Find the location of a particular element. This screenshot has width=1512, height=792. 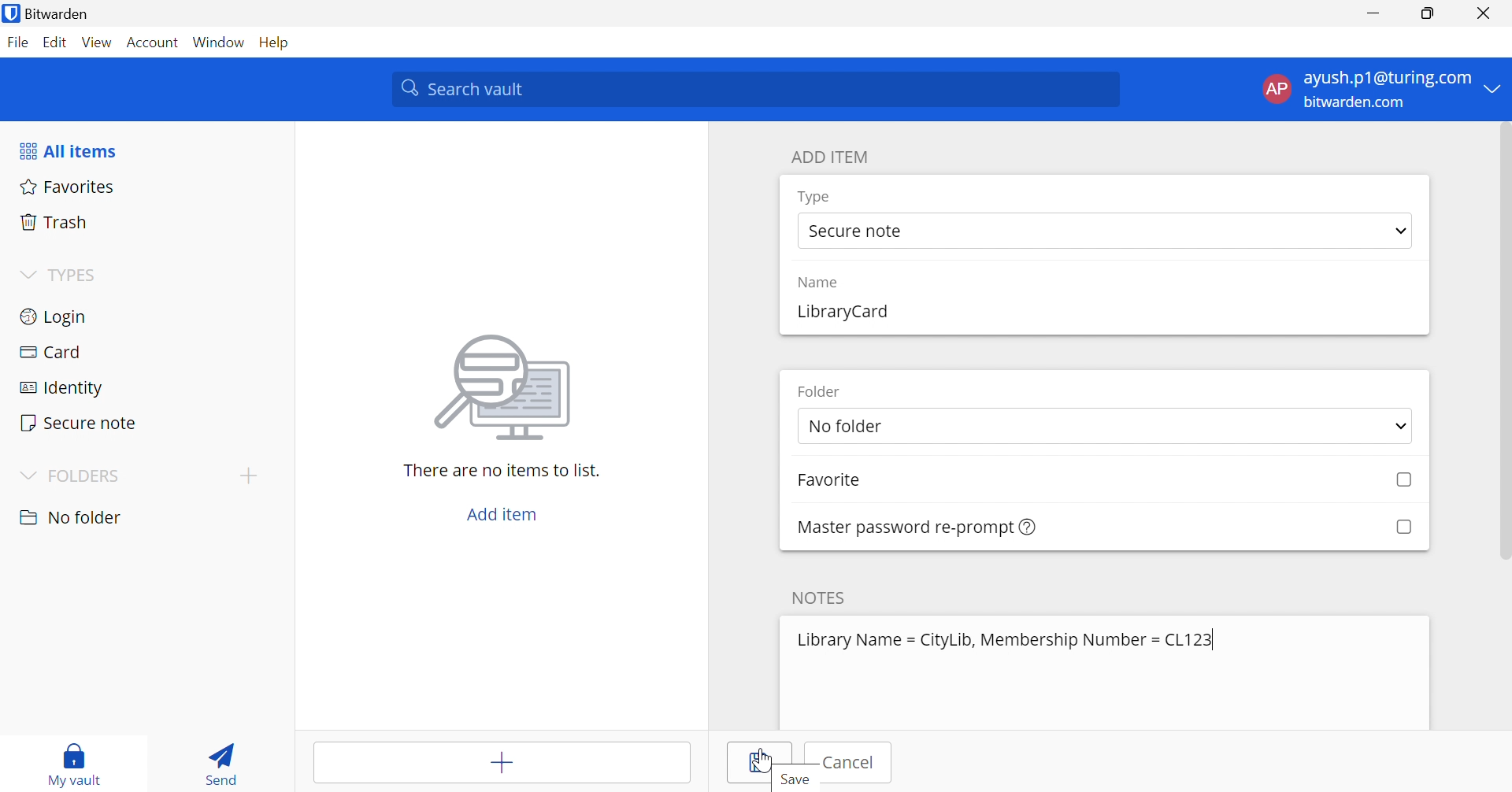

Minimize is located at coordinates (1374, 12).